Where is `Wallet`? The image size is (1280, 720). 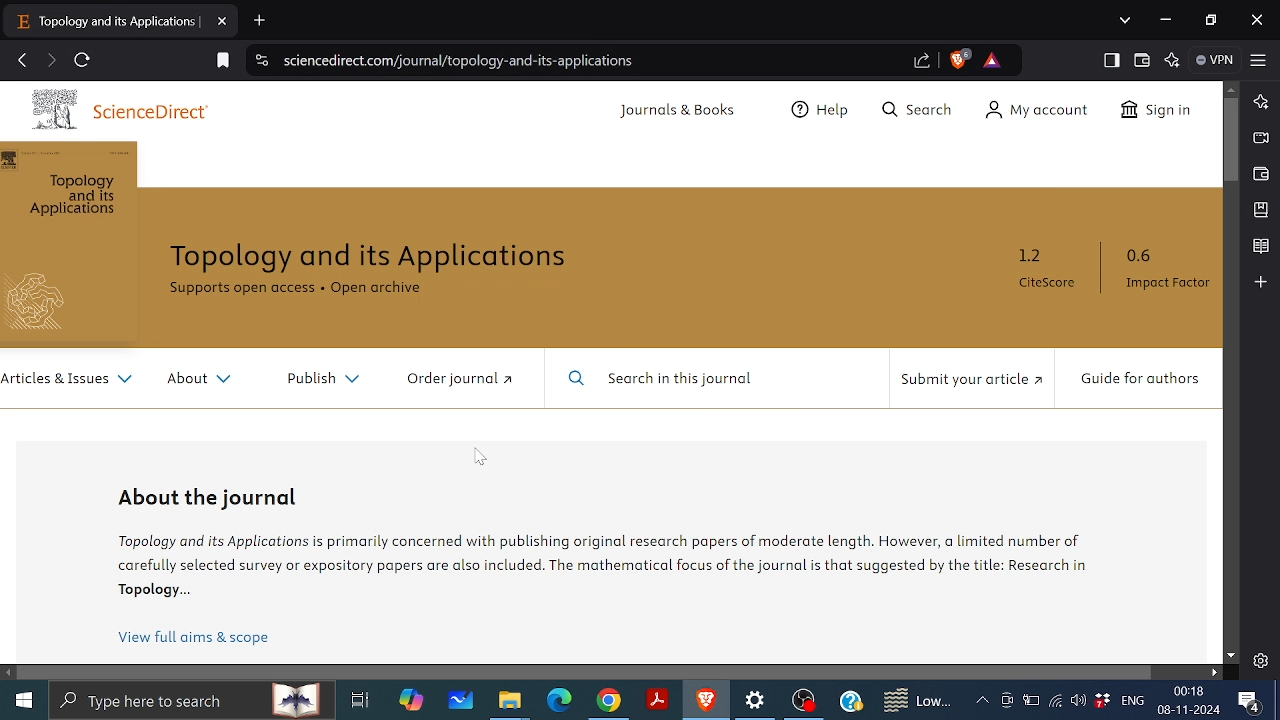
Wallet is located at coordinates (1260, 174).